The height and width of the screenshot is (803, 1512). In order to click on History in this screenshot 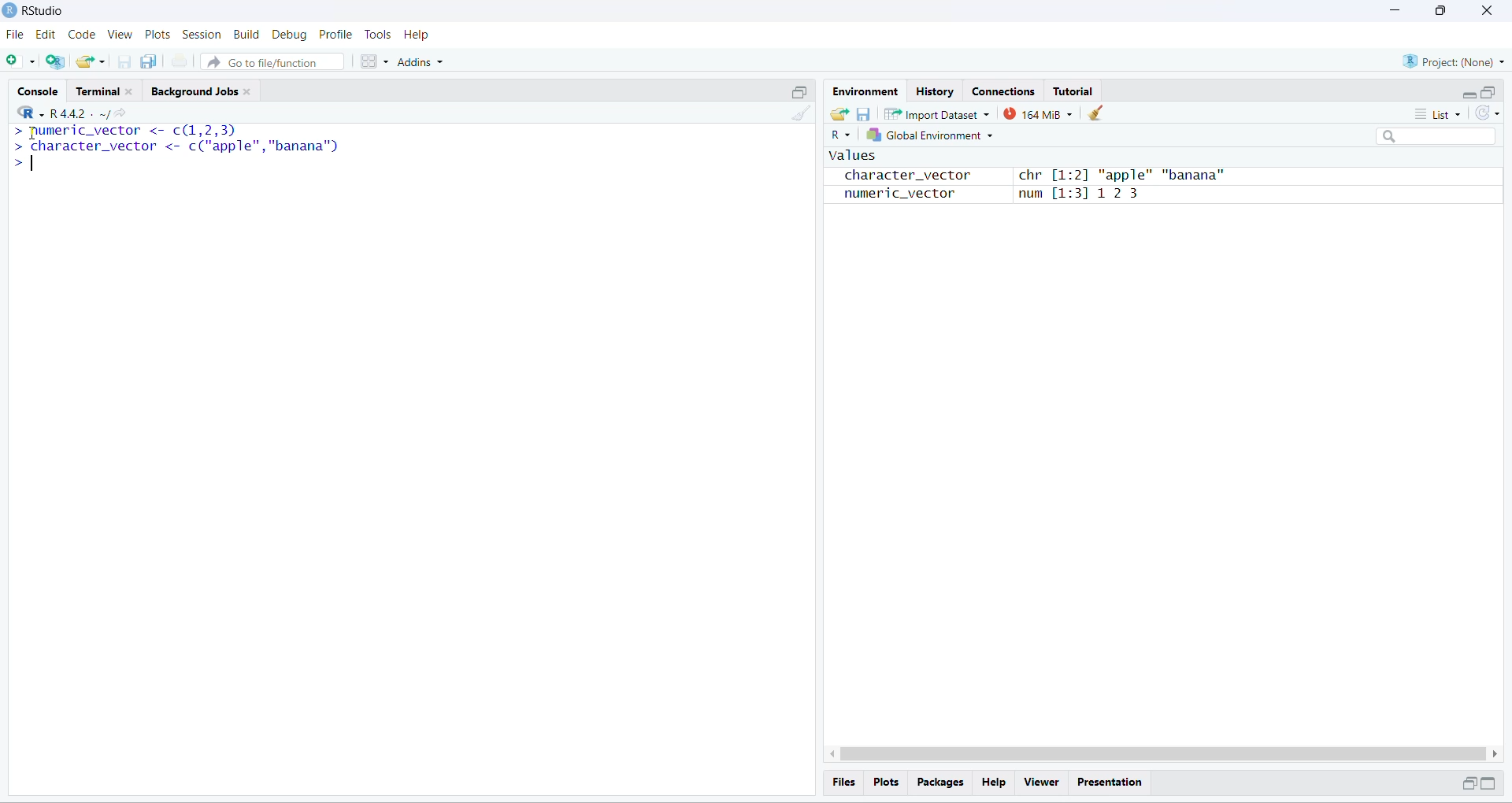, I will do `click(935, 90)`.